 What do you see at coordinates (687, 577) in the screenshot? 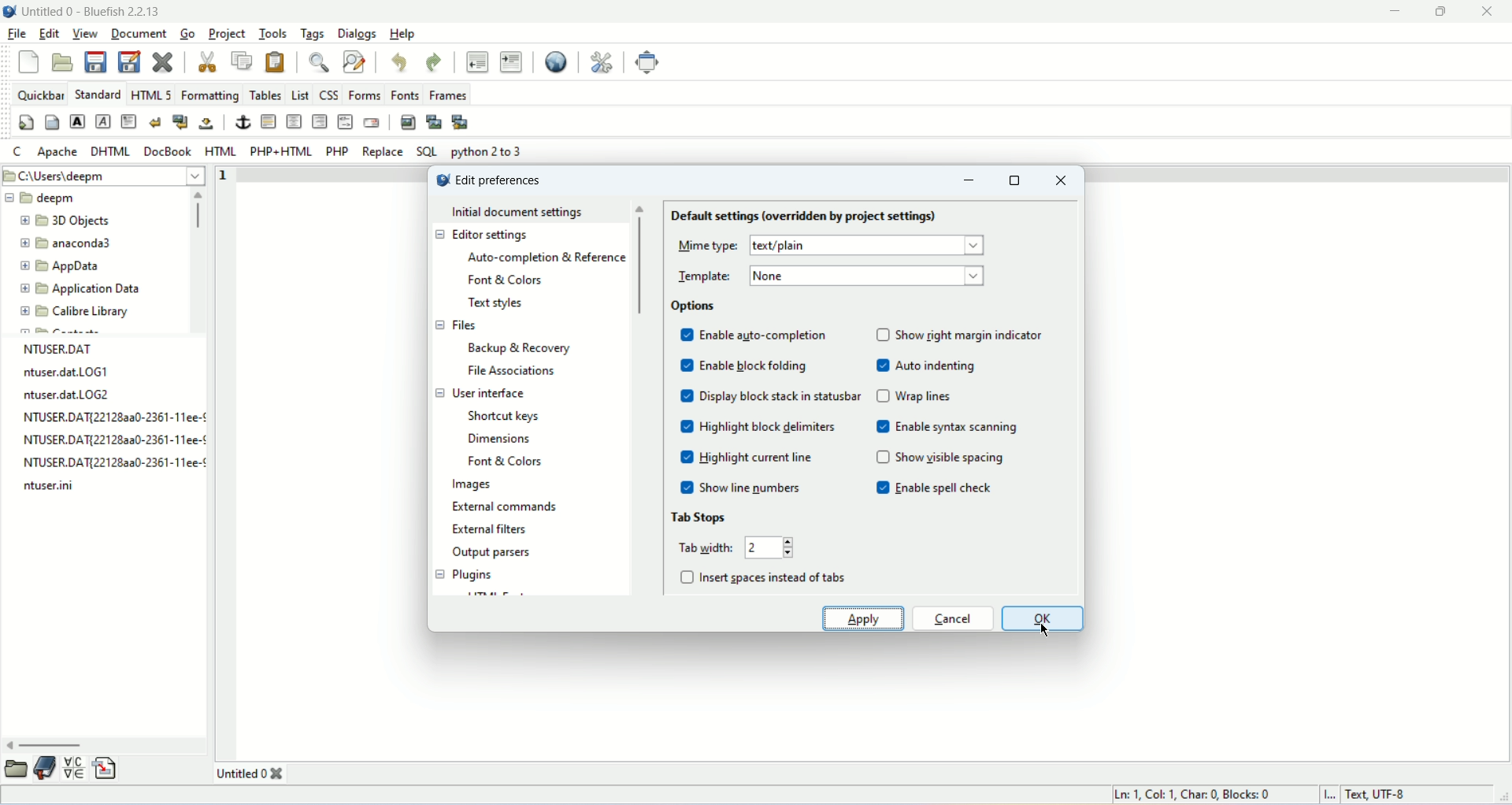
I see `check box` at bounding box center [687, 577].